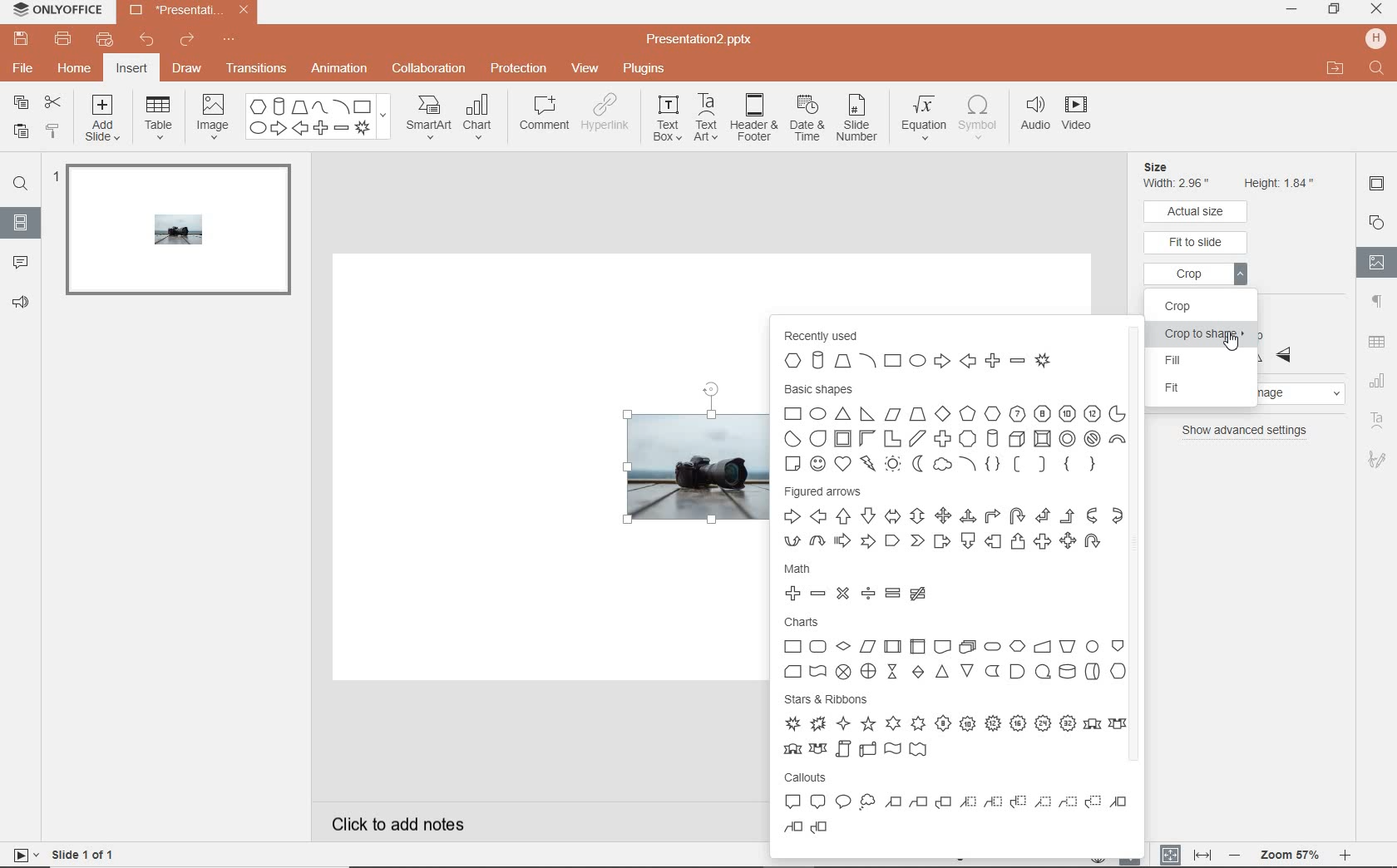  I want to click on find, so click(21, 182).